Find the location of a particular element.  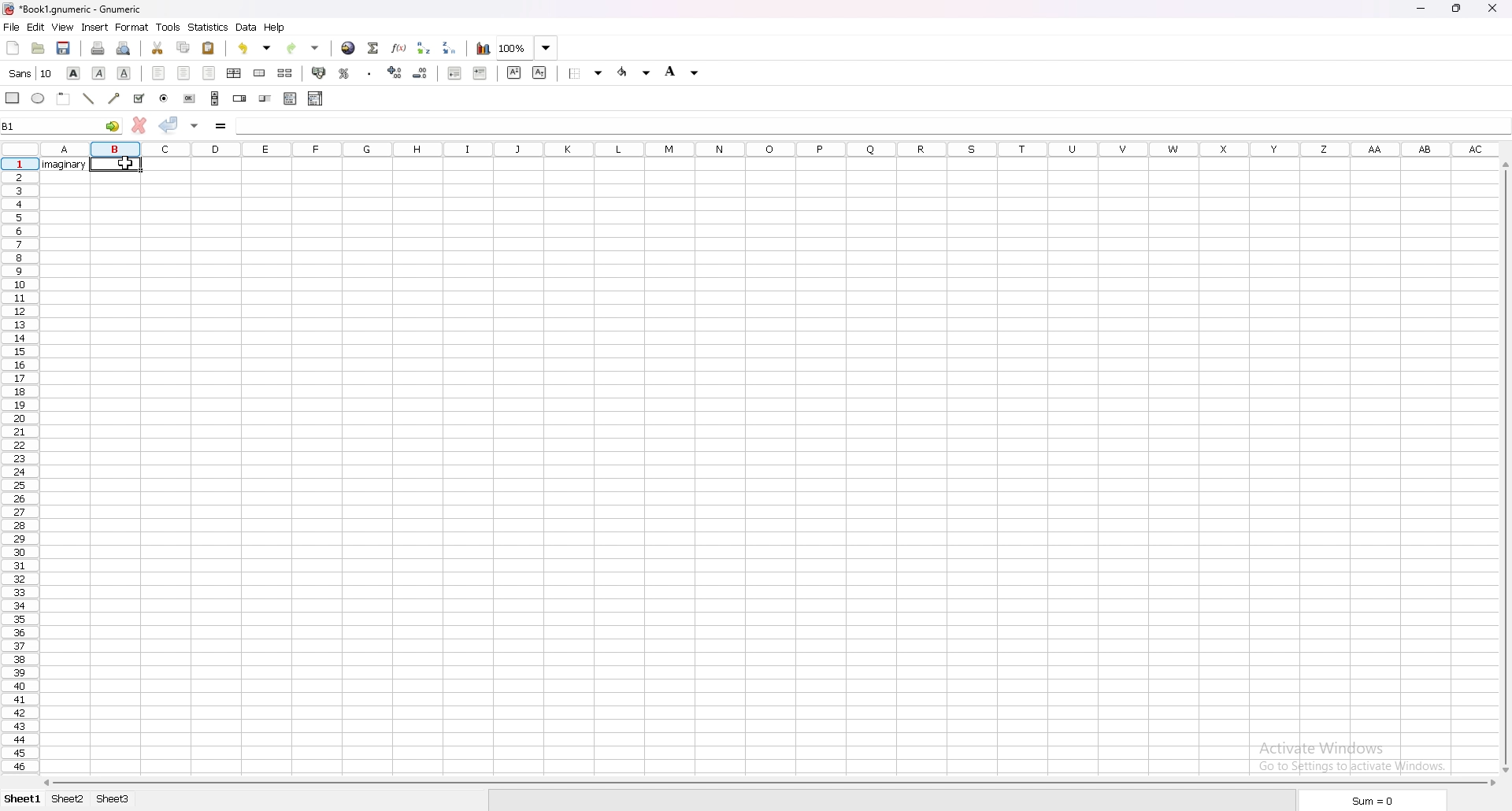

scroll bar is located at coordinates (215, 98).